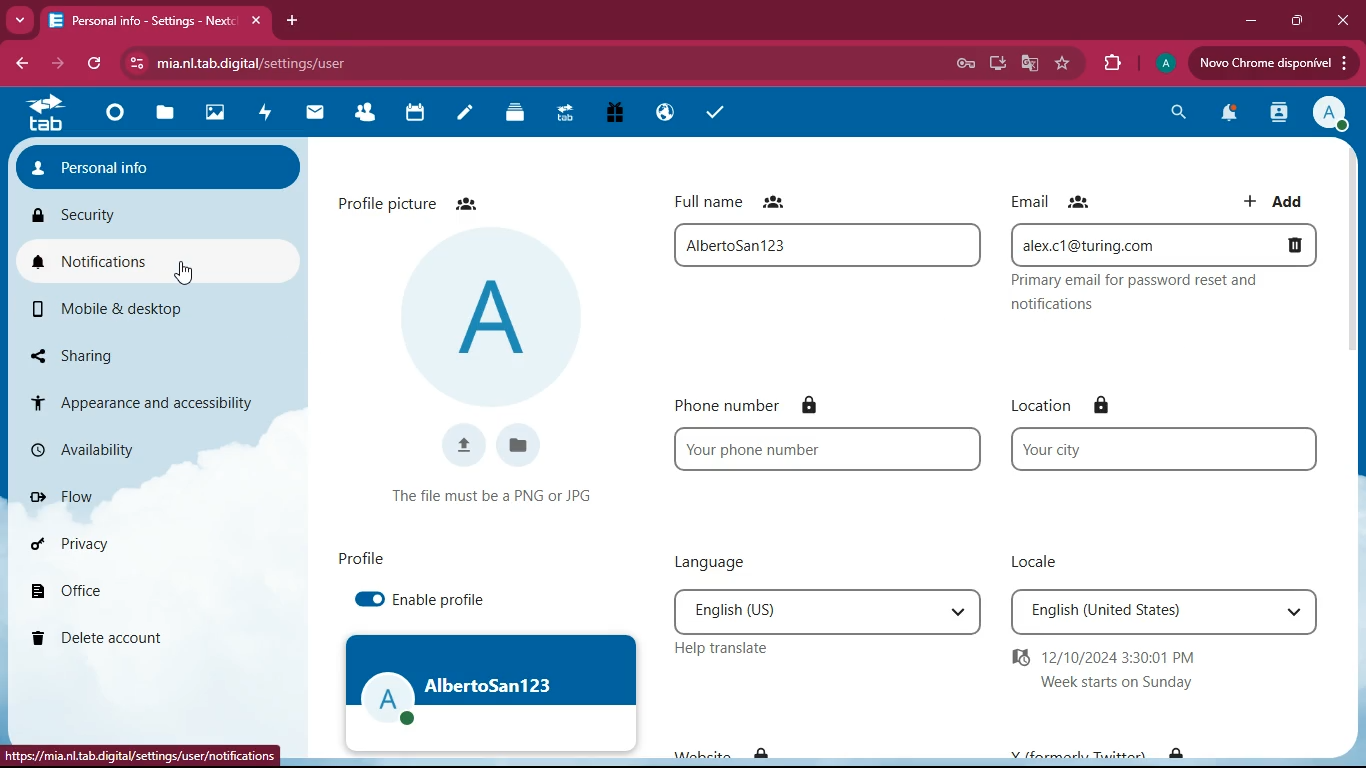 The image size is (1366, 768). What do you see at coordinates (962, 61) in the screenshot?
I see `Password ` at bounding box center [962, 61].